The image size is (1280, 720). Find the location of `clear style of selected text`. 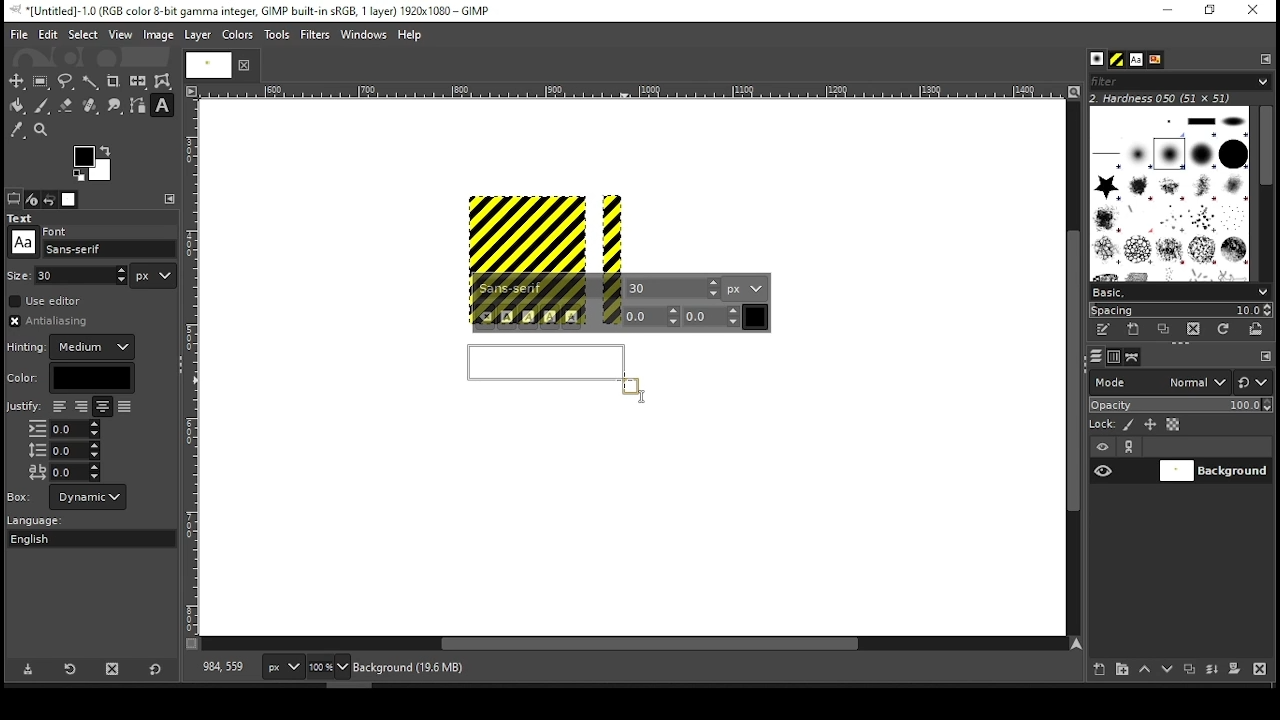

clear style of selected text is located at coordinates (486, 318).